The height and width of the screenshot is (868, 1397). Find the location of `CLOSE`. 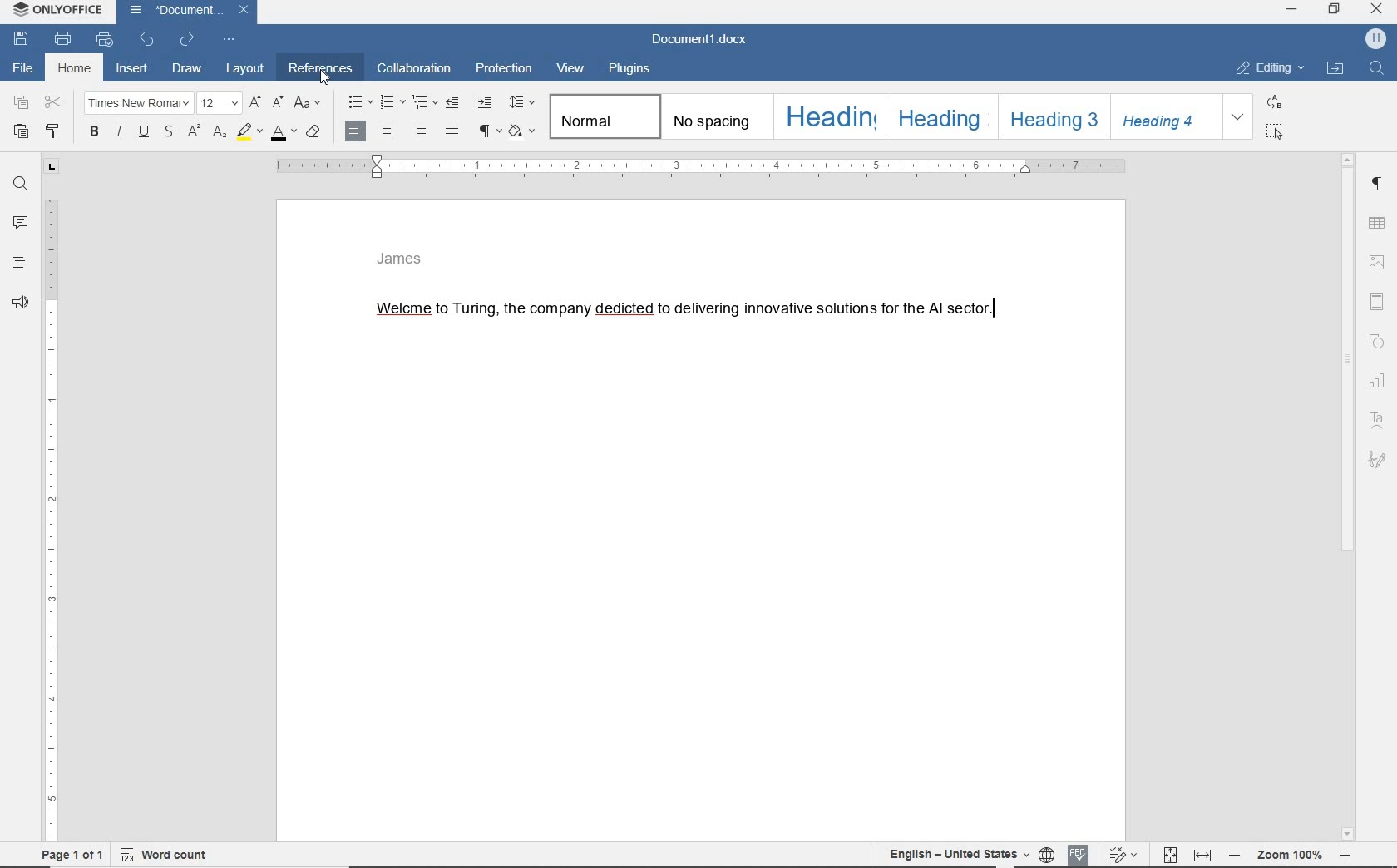

CLOSE is located at coordinates (1376, 11).